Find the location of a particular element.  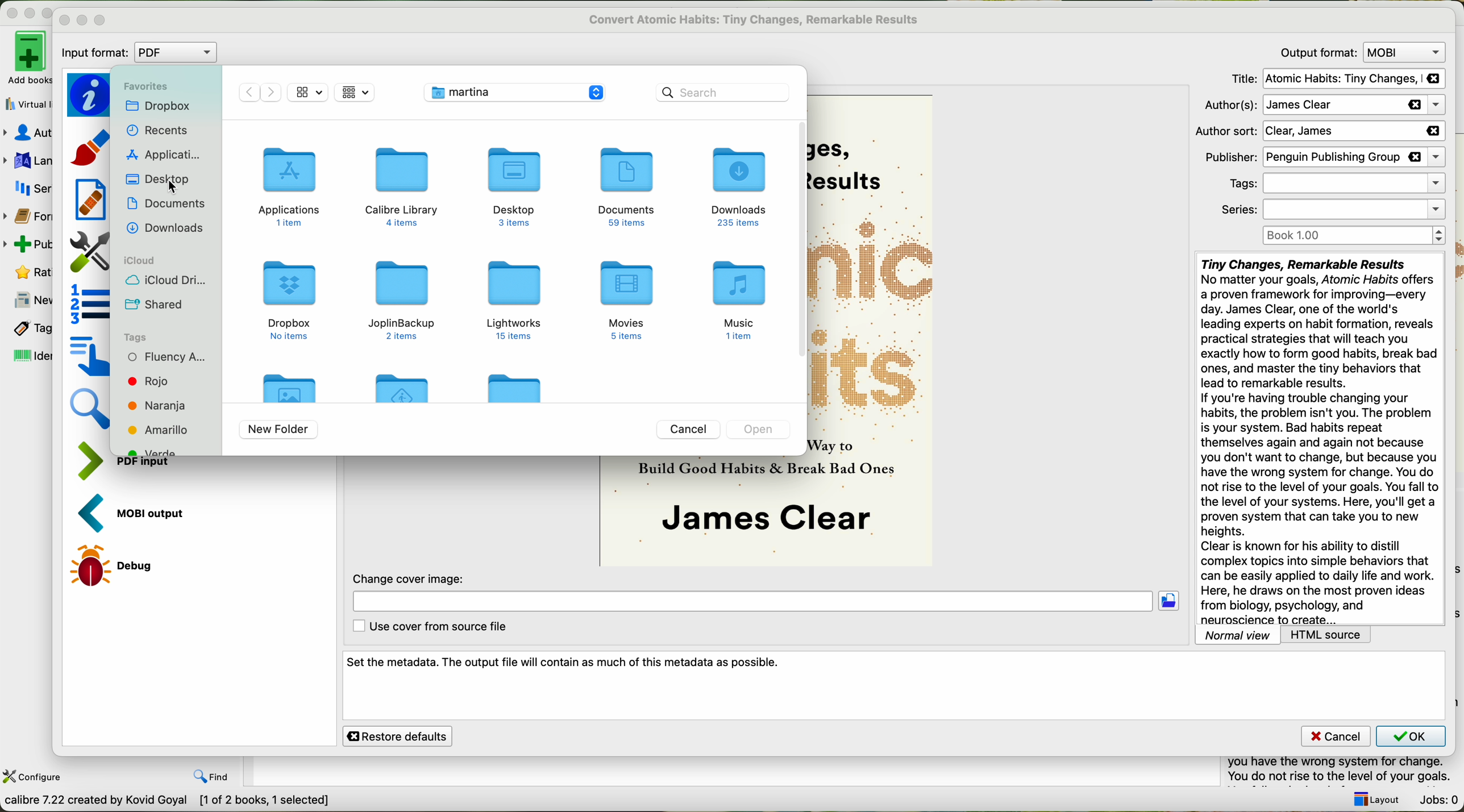

MOBI output is located at coordinates (138, 514).